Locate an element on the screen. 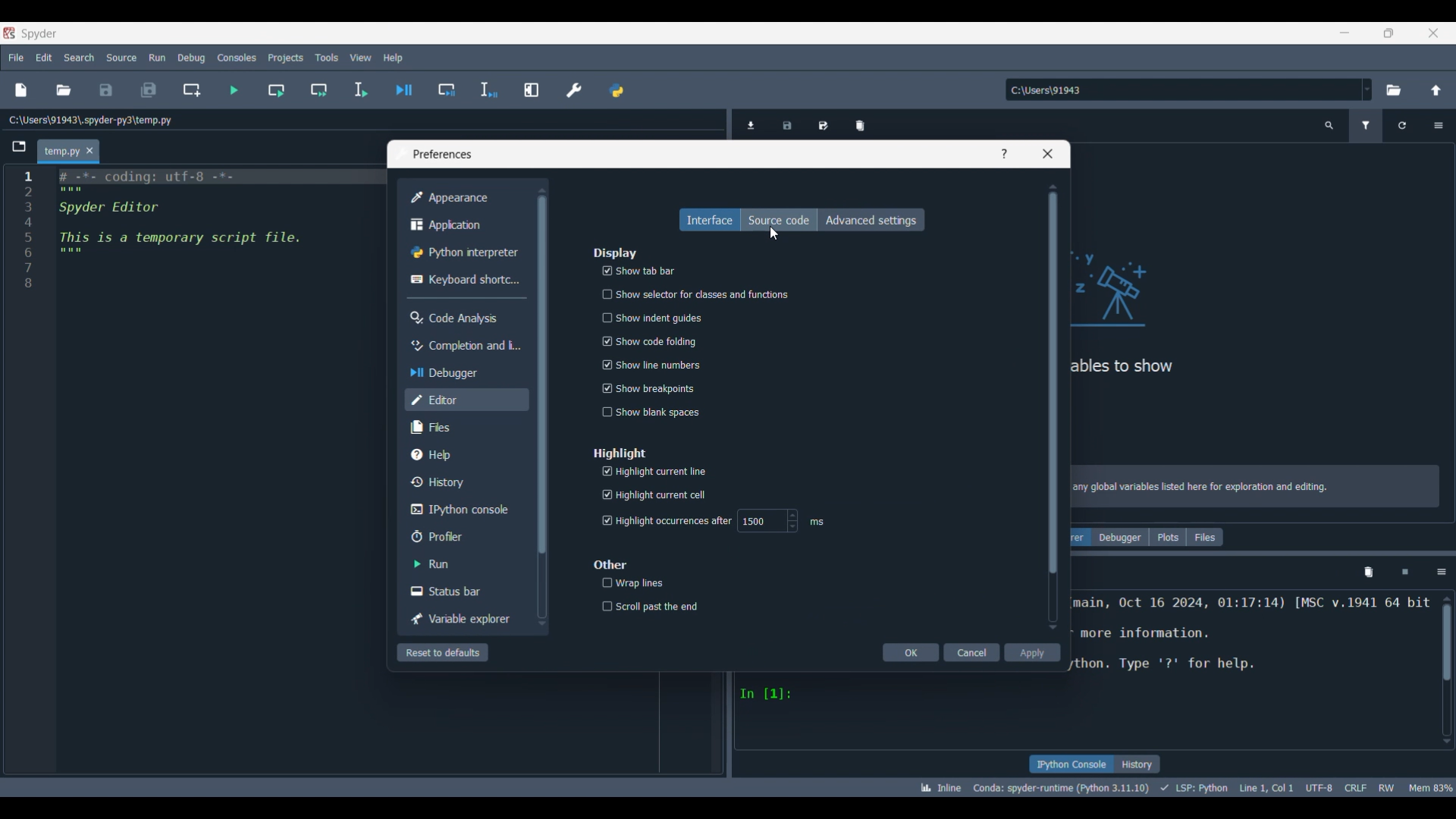 The height and width of the screenshot is (819, 1456). Increase/Decrease number is located at coordinates (792, 521).